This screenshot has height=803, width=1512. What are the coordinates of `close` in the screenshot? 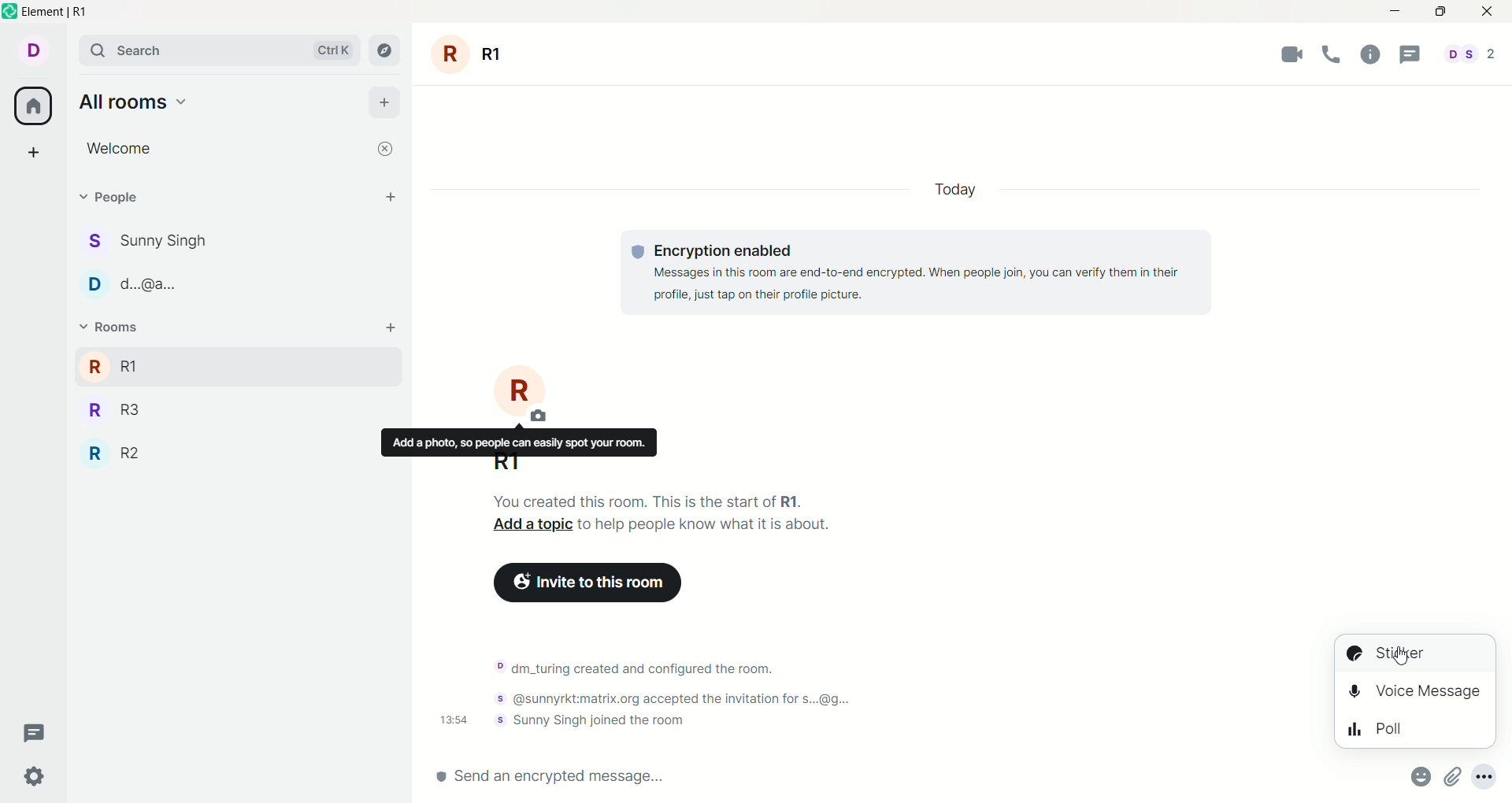 It's located at (385, 149).